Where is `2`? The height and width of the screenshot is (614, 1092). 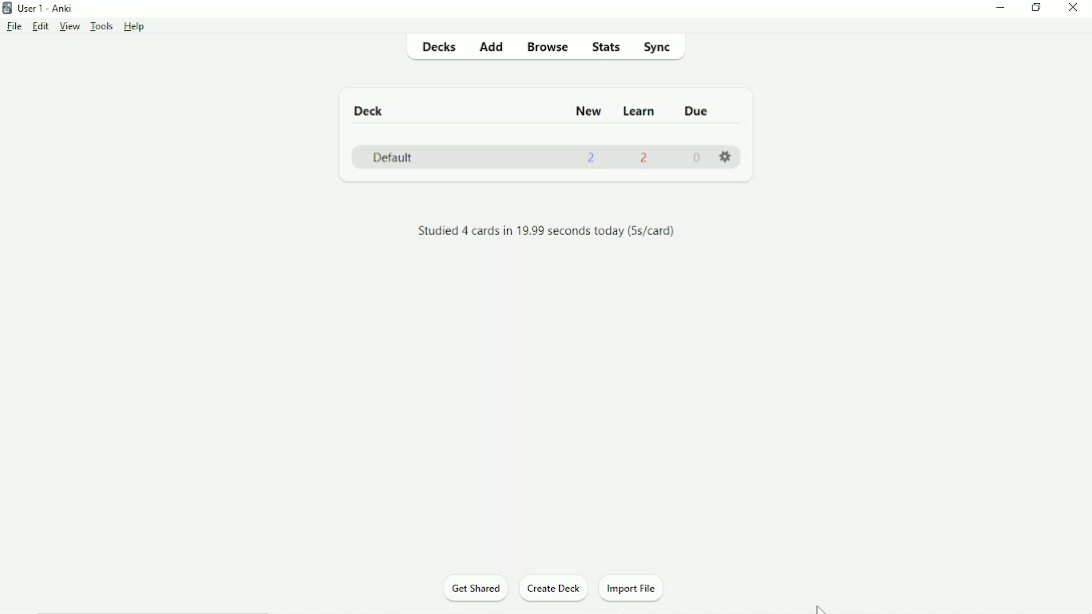 2 is located at coordinates (646, 157).